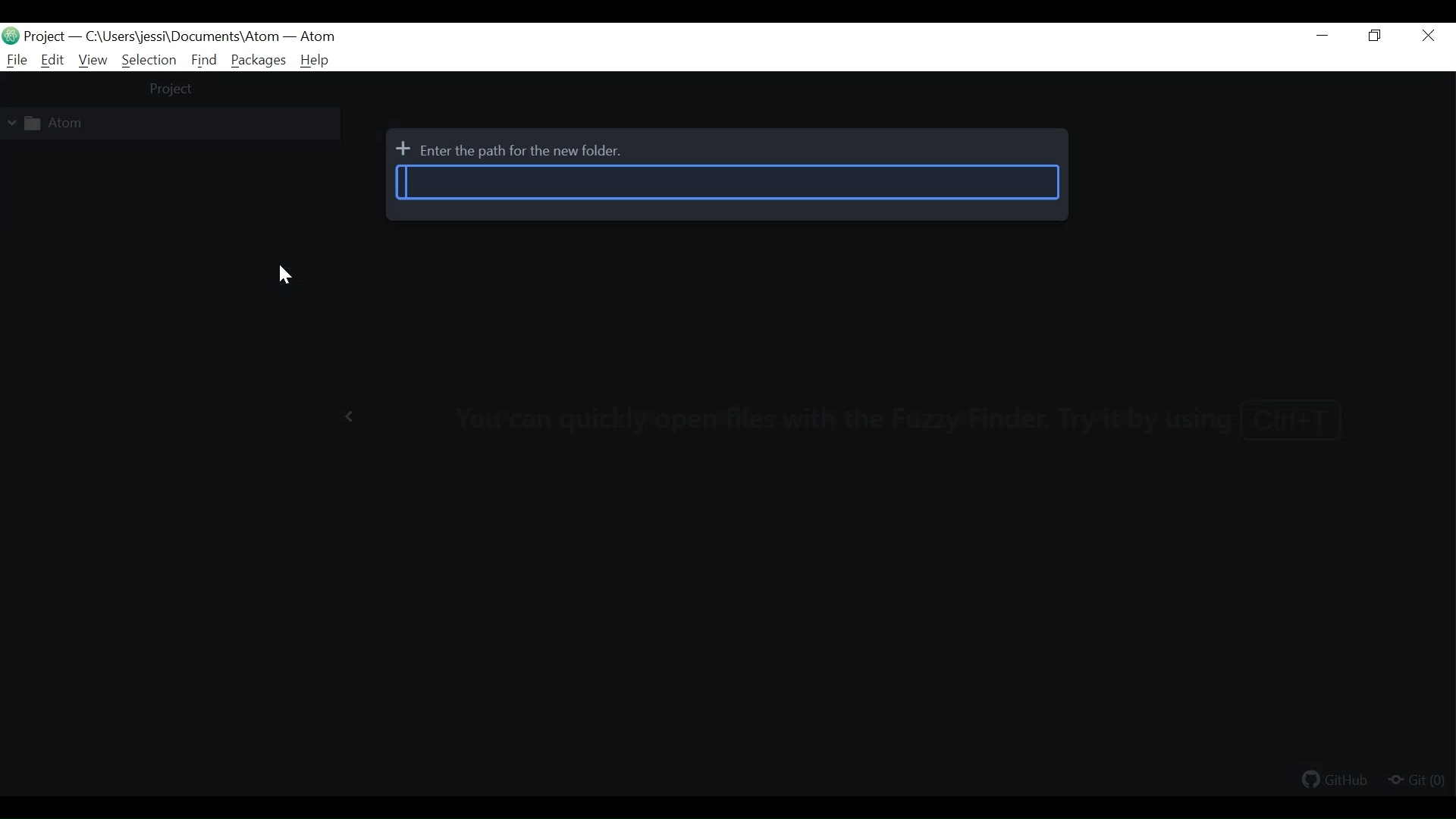  What do you see at coordinates (1325, 37) in the screenshot?
I see `Minimize` at bounding box center [1325, 37].